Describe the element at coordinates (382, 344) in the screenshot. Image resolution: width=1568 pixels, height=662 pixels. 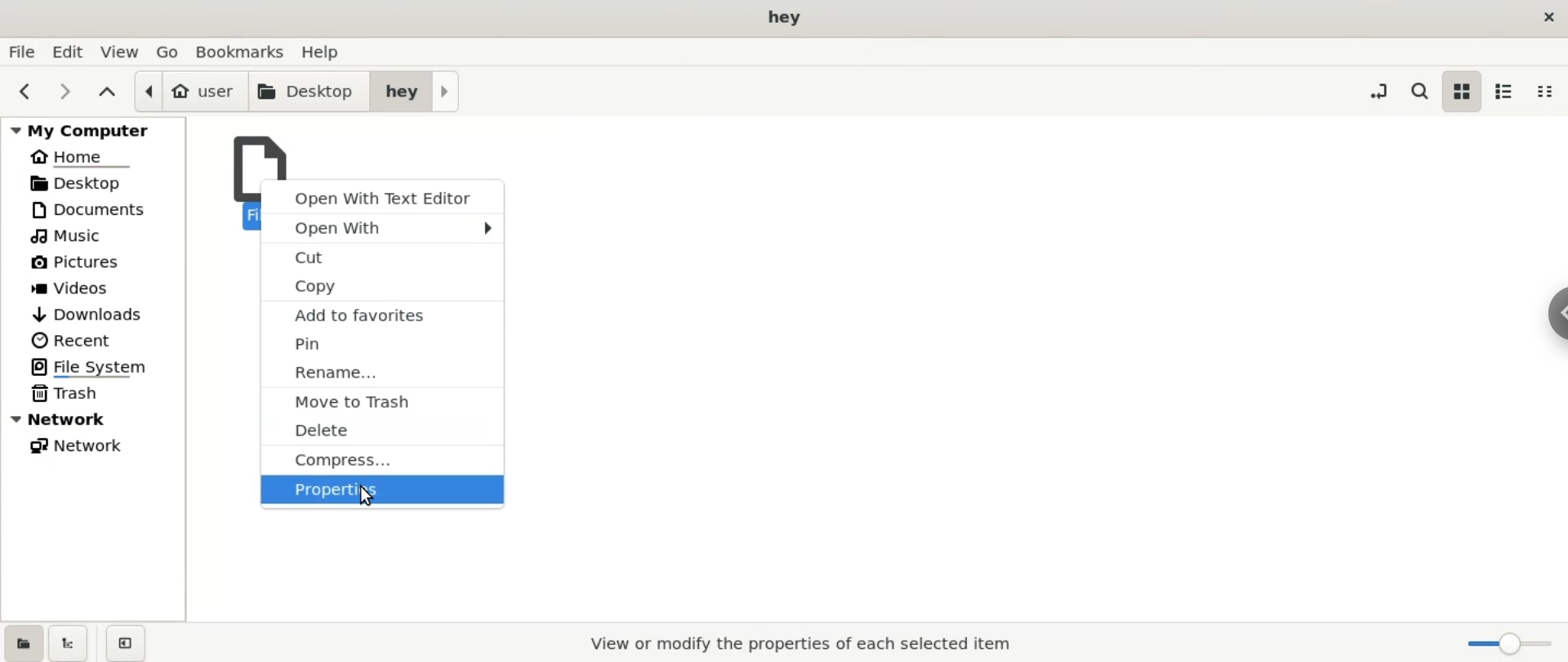
I see `pin` at that location.